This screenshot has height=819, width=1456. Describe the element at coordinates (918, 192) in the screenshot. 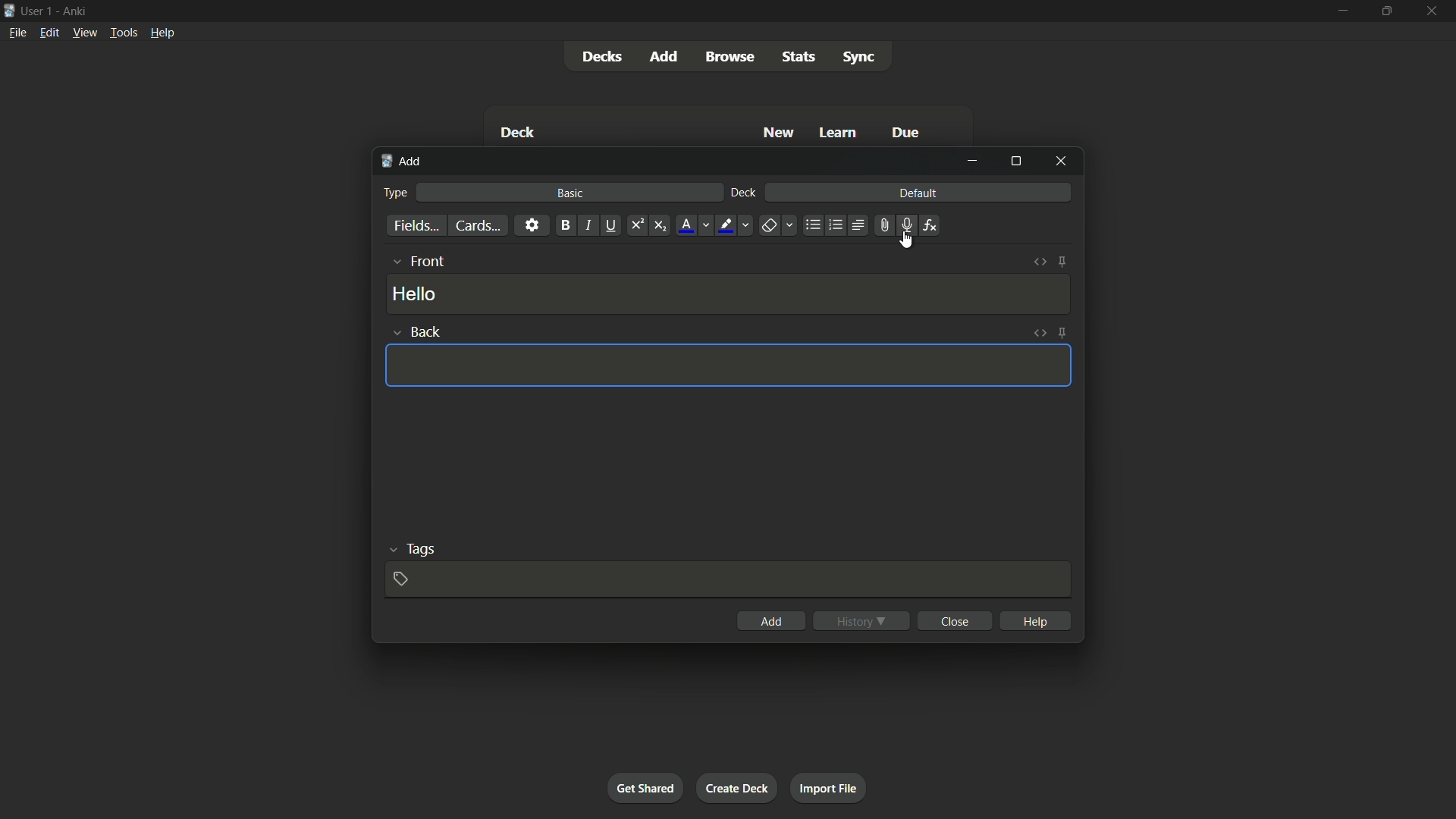

I see `default` at that location.